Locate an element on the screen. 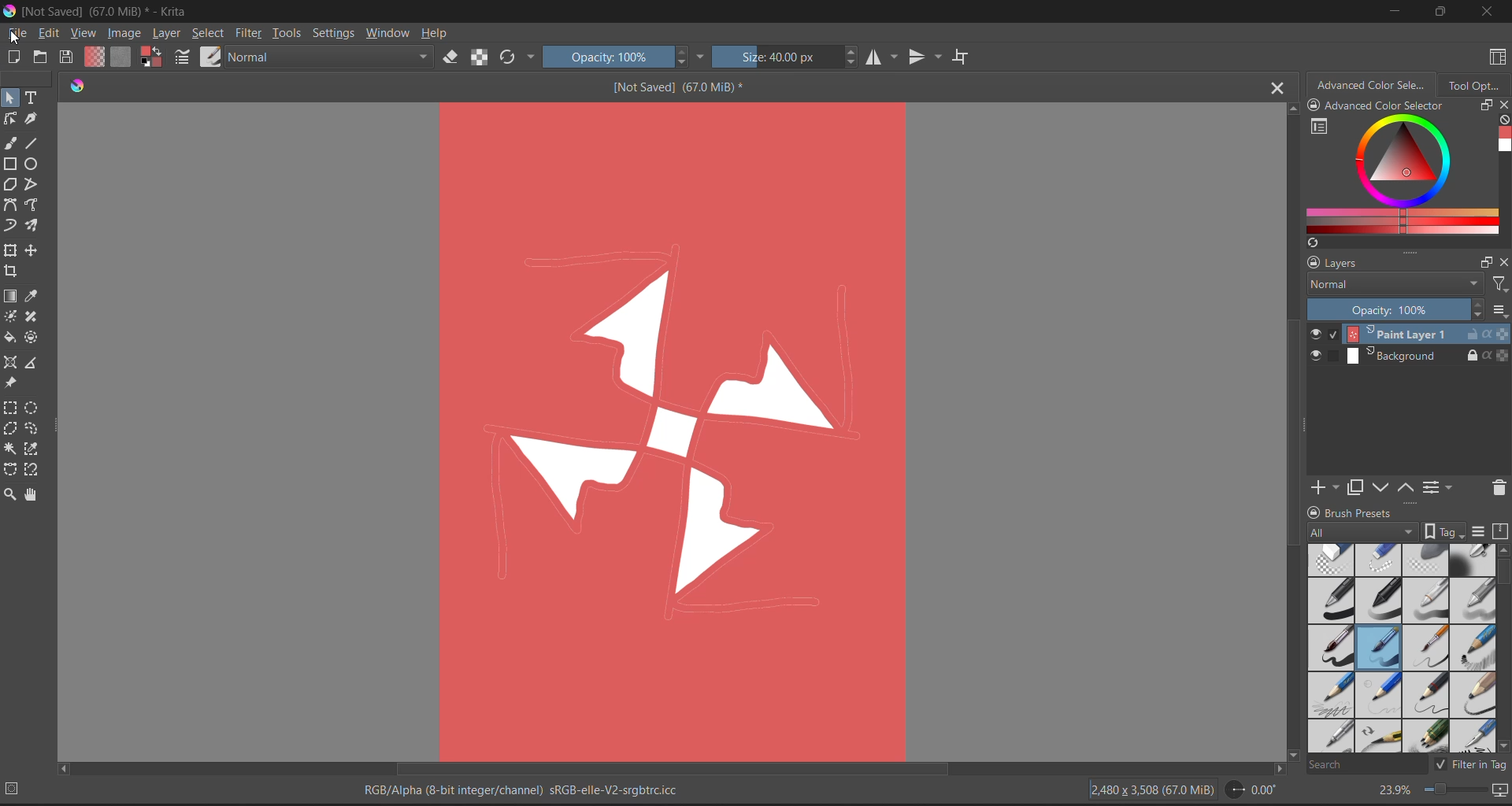  tools is located at coordinates (10, 183).